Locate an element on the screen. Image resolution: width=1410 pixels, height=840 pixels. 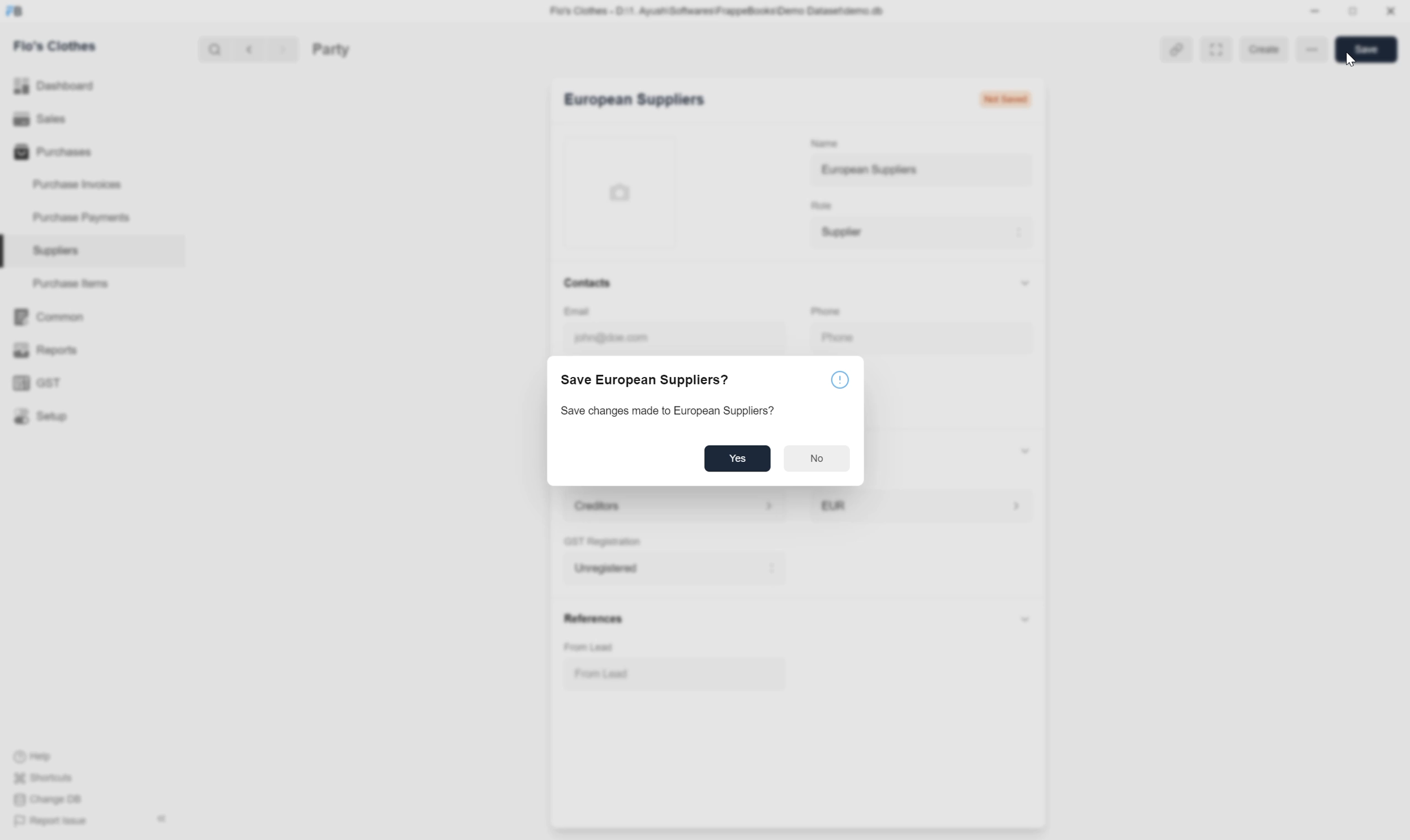
References is located at coordinates (589, 618).